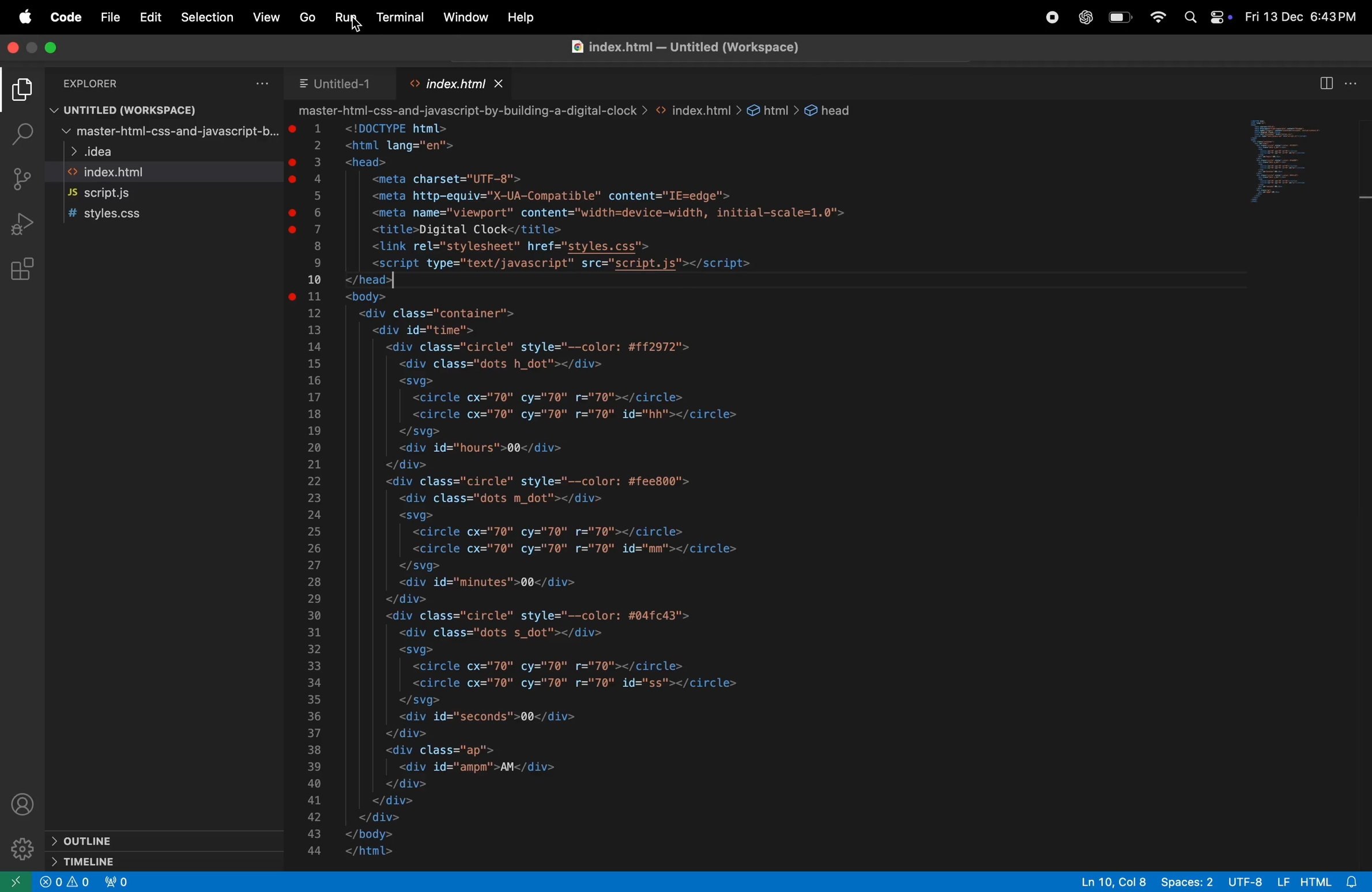 The height and width of the screenshot is (892, 1372). I want to click on extensions, so click(21, 272).